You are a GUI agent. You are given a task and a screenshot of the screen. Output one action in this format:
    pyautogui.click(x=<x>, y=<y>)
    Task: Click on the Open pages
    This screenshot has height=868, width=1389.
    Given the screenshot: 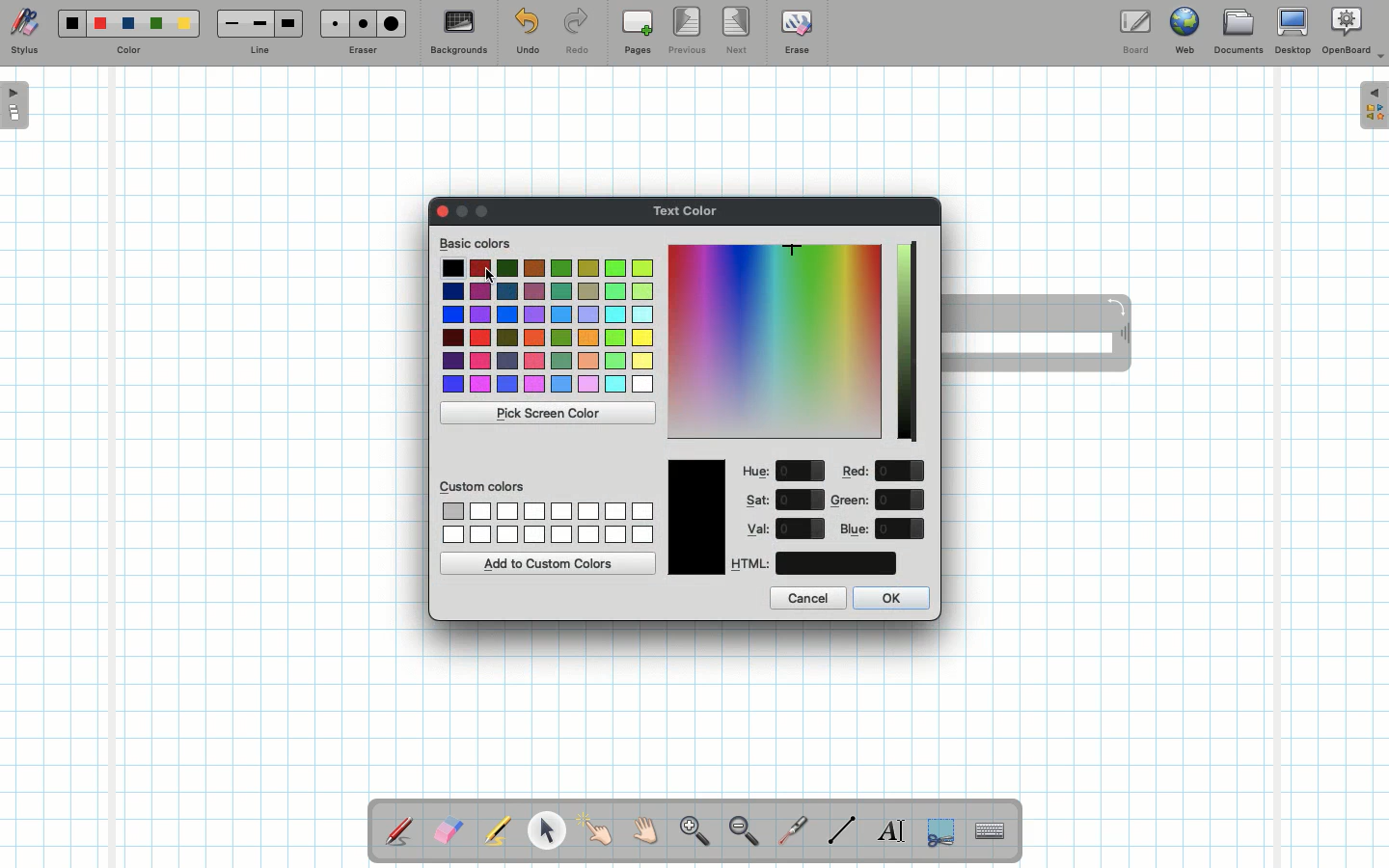 What is the action you would take?
    pyautogui.click(x=16, y=104)
    